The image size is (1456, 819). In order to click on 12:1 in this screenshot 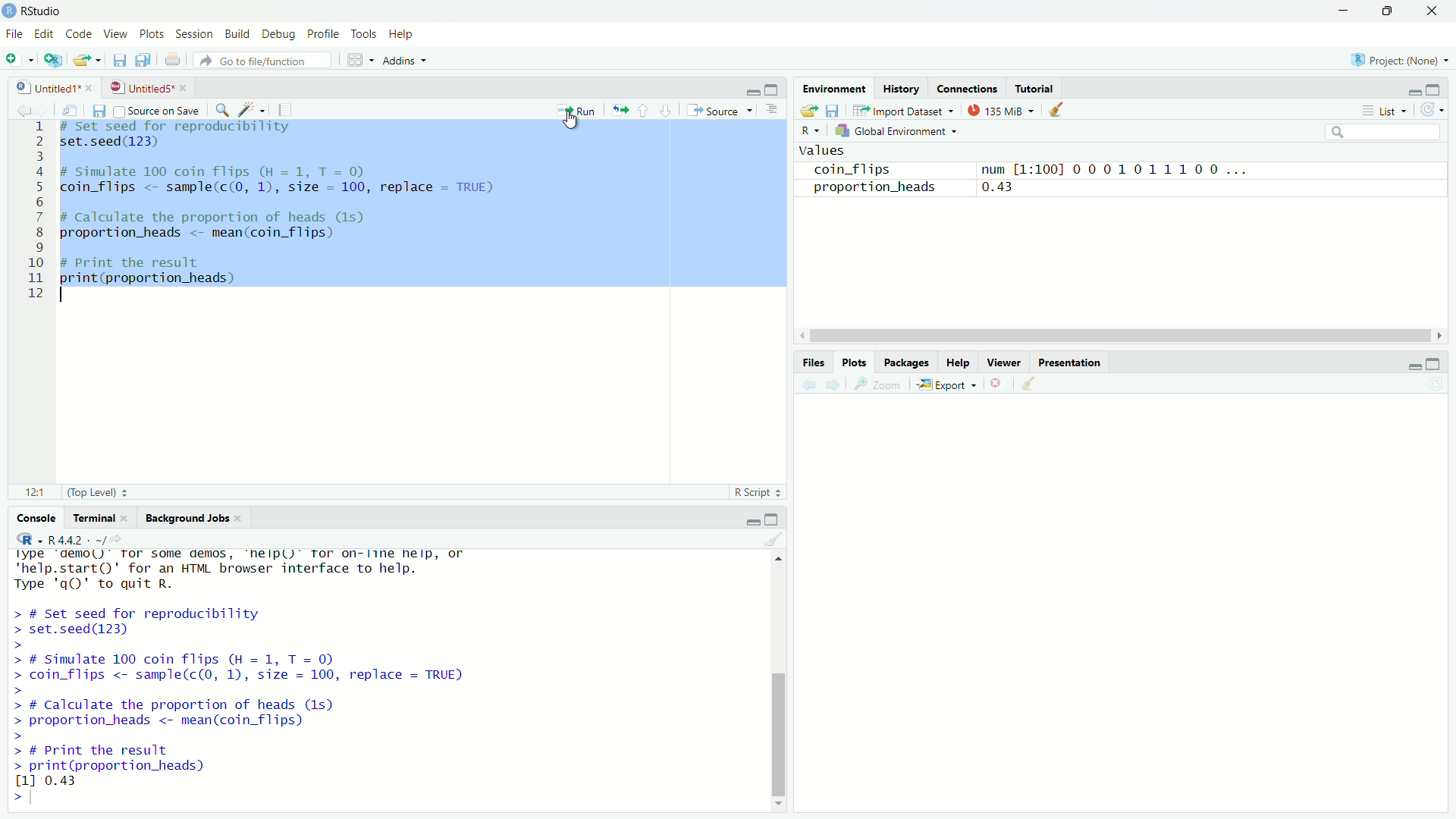, I will do `click(33, 493)`.